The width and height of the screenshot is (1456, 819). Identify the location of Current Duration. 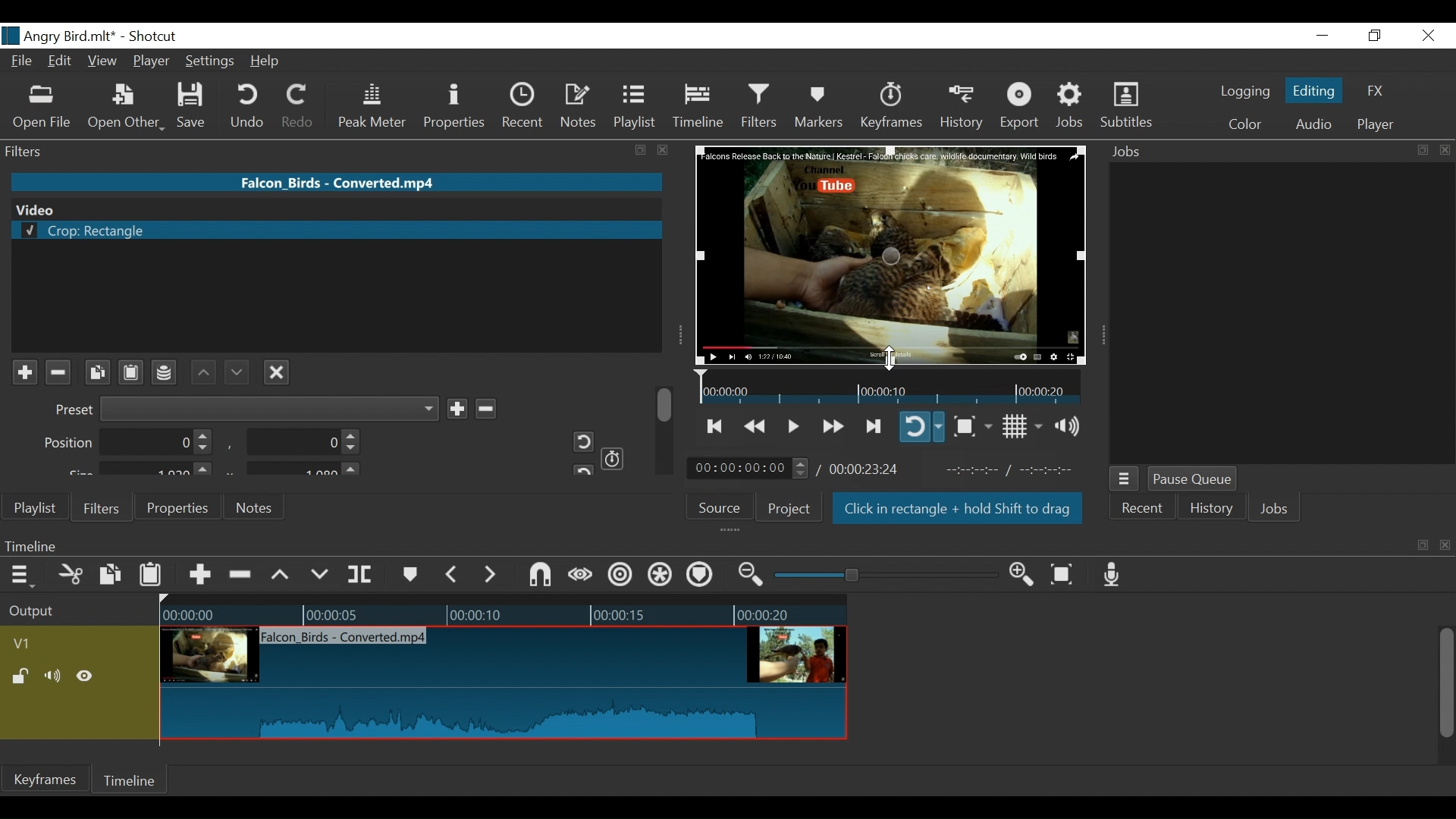
(748, 467).